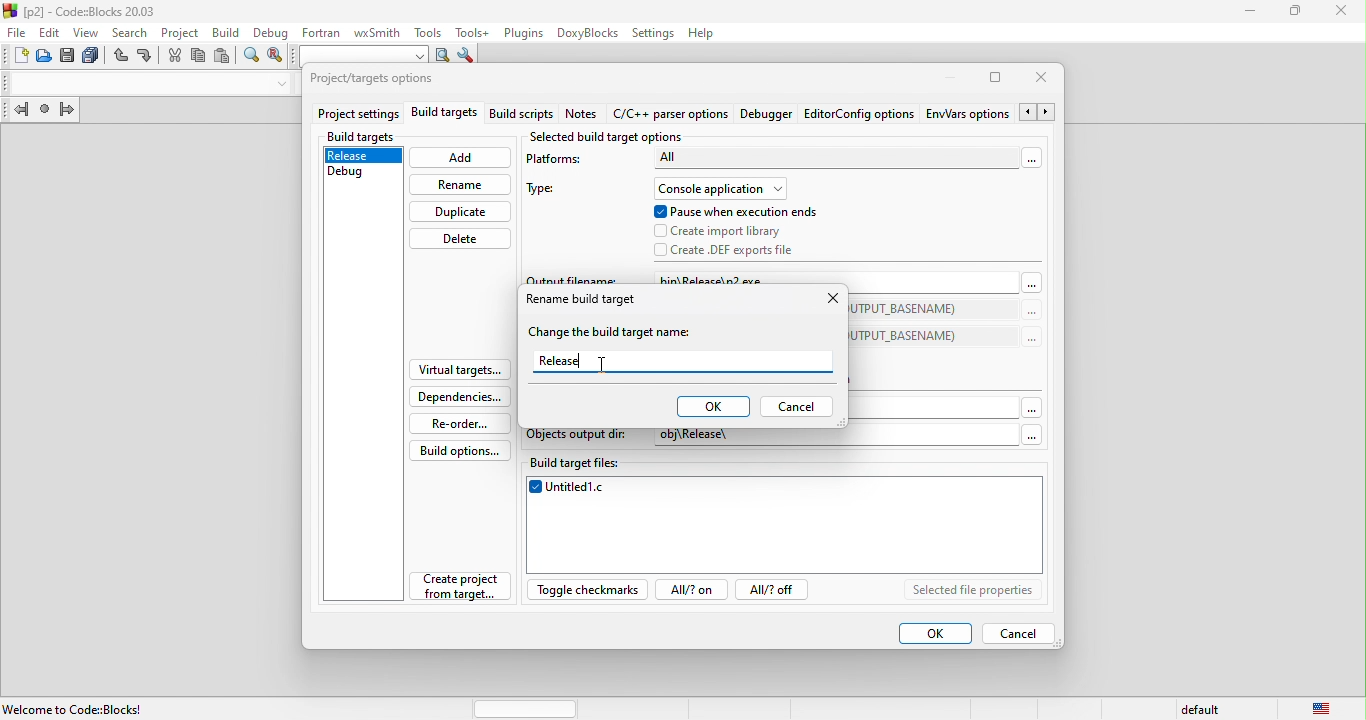 This screenshot has height=720, width=1366. I want to click on create project from target, so click(459, 586).